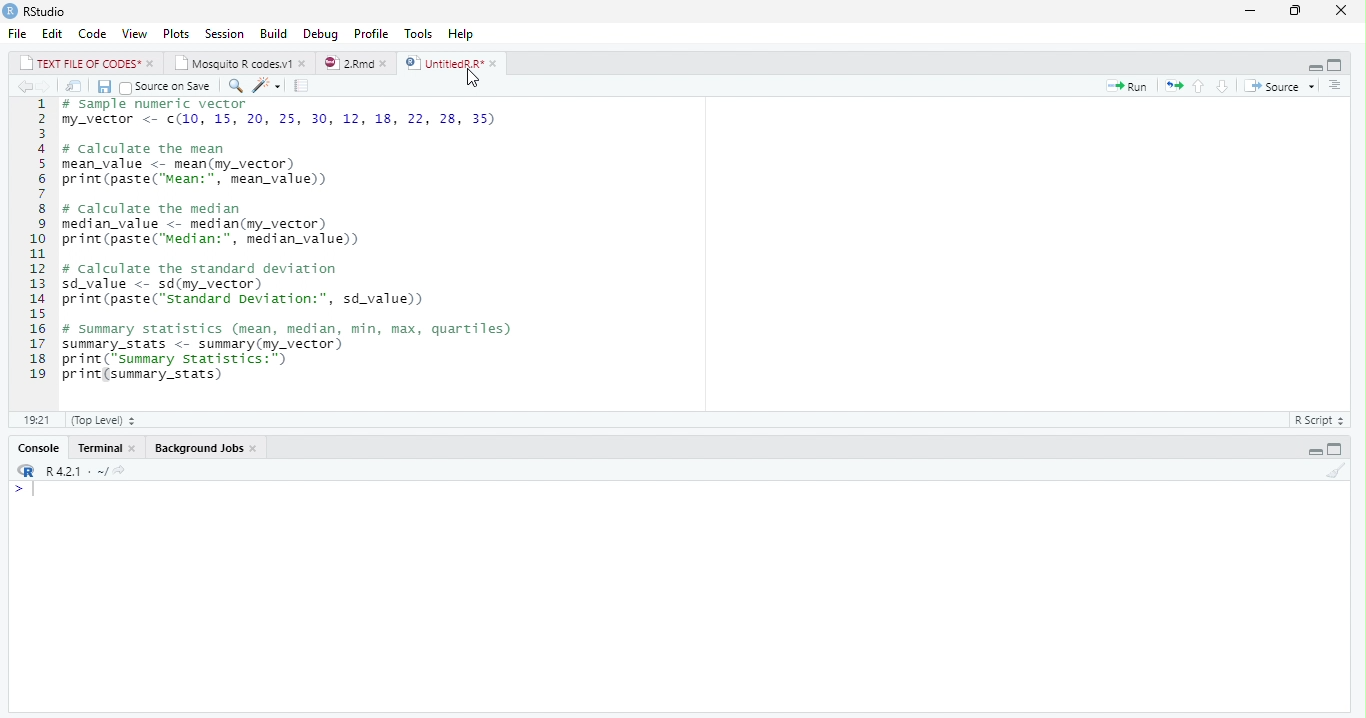  What do you see at coordinates (1334, 450) in the screenshot?
I see `maximize` at bounding box center [1334, 450].